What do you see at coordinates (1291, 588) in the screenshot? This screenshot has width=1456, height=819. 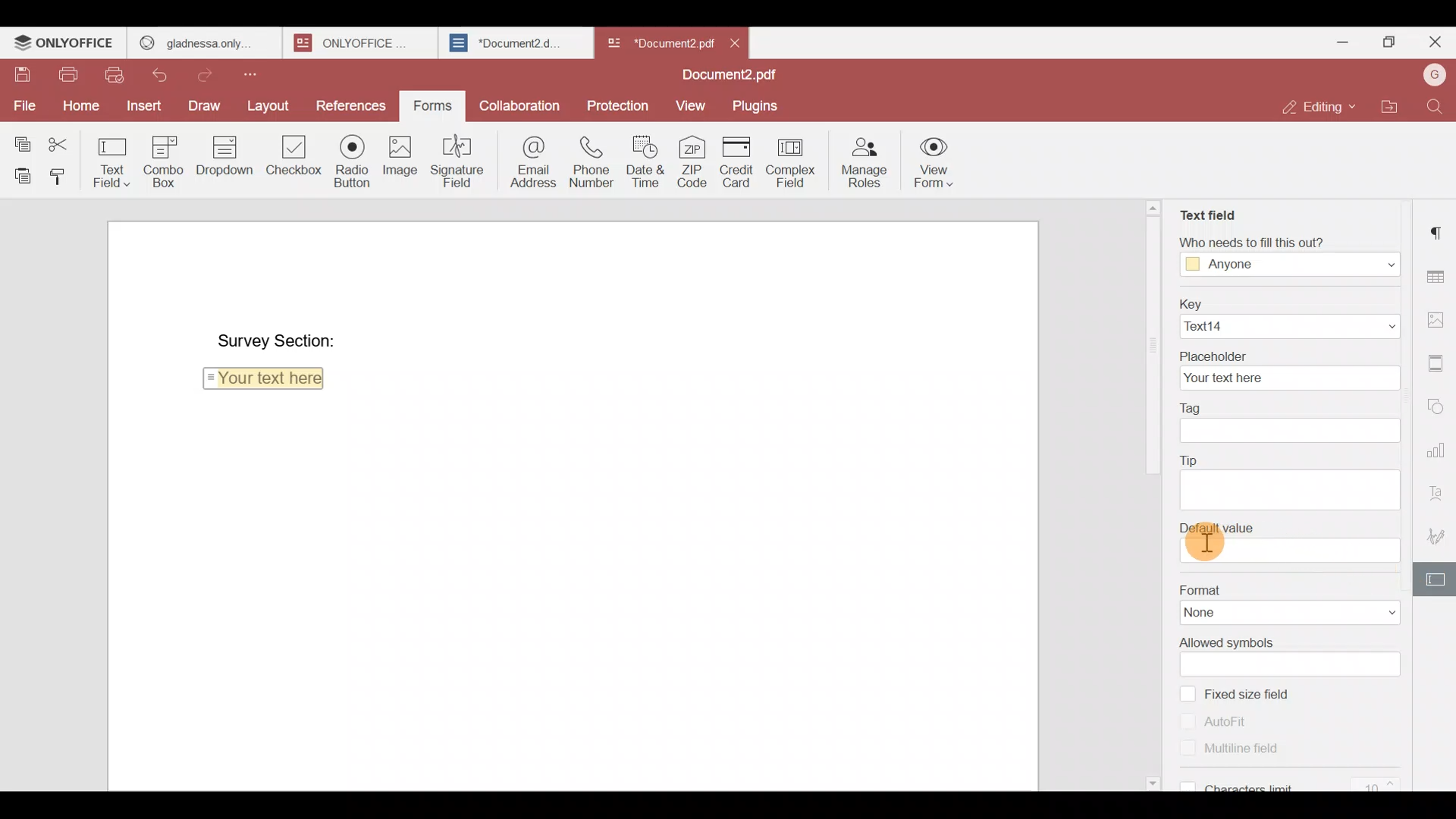 I see `Format` at bounding box center [1291, 588].